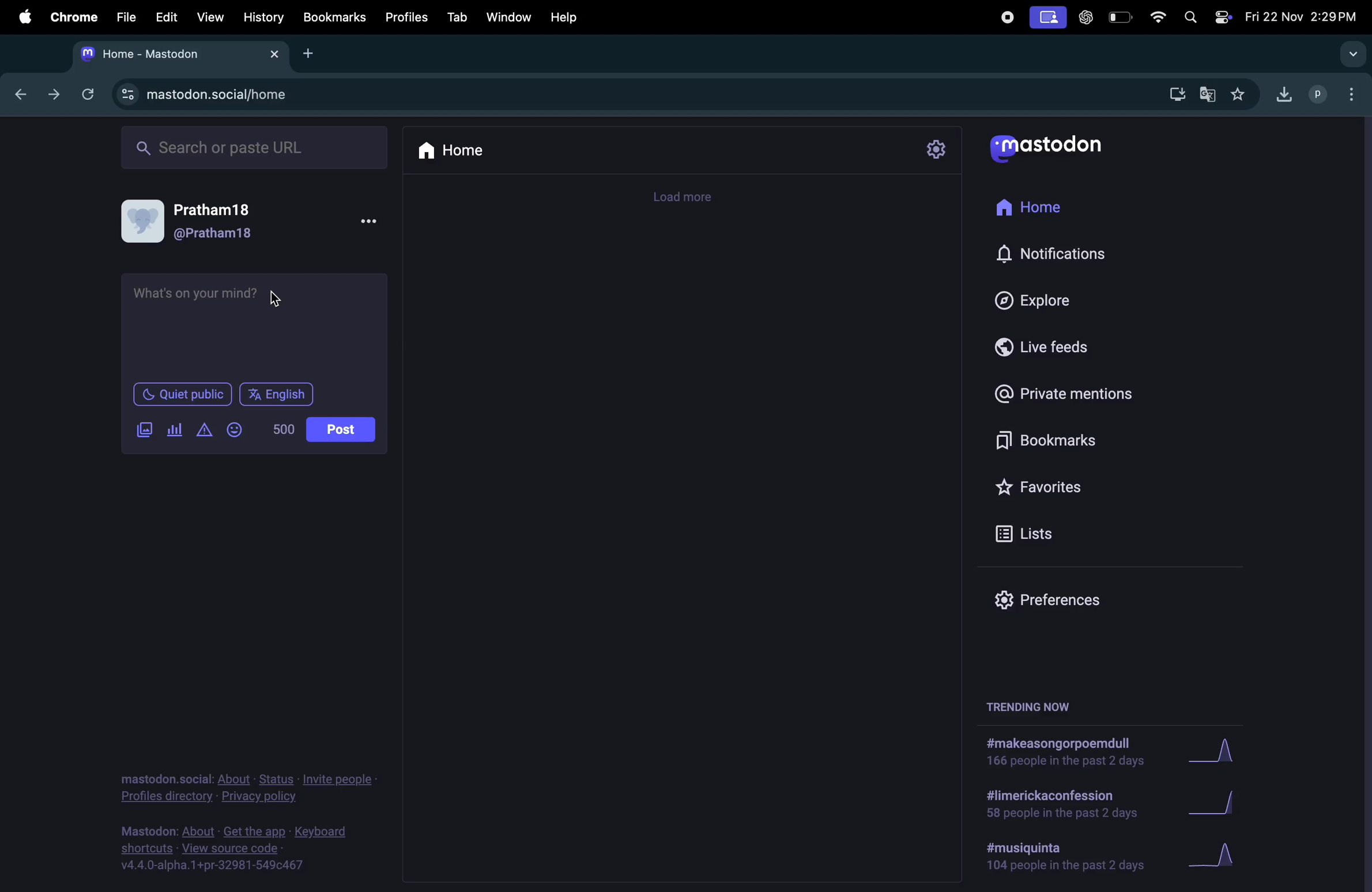 The width and height of the screenshot is (1372, 892). Describe the element at coordinates (256, 326) in the screenshot. I see `text box` at that location.